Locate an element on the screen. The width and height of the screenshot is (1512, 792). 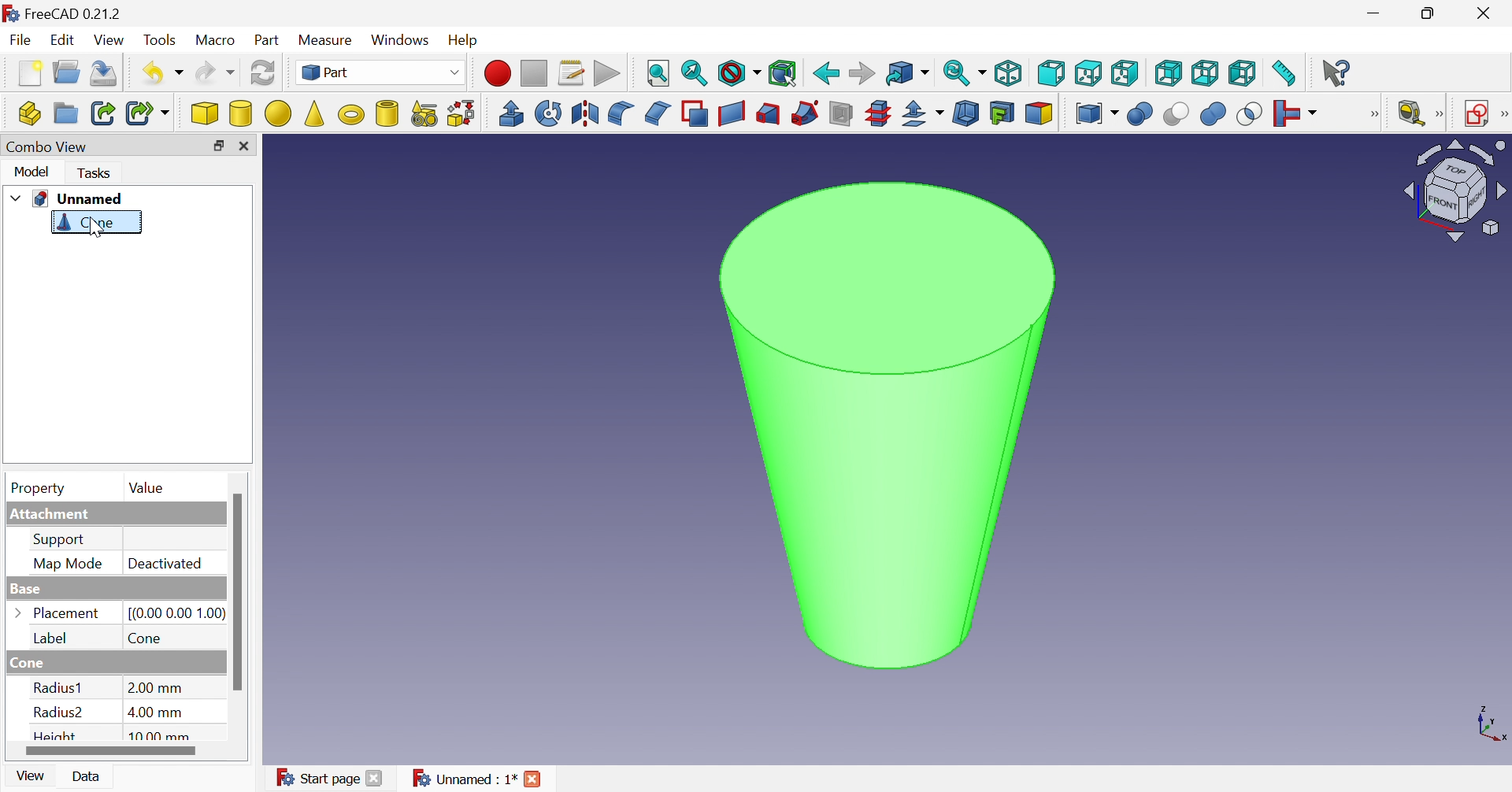
Unnamed is located at coordinates (81, 198).